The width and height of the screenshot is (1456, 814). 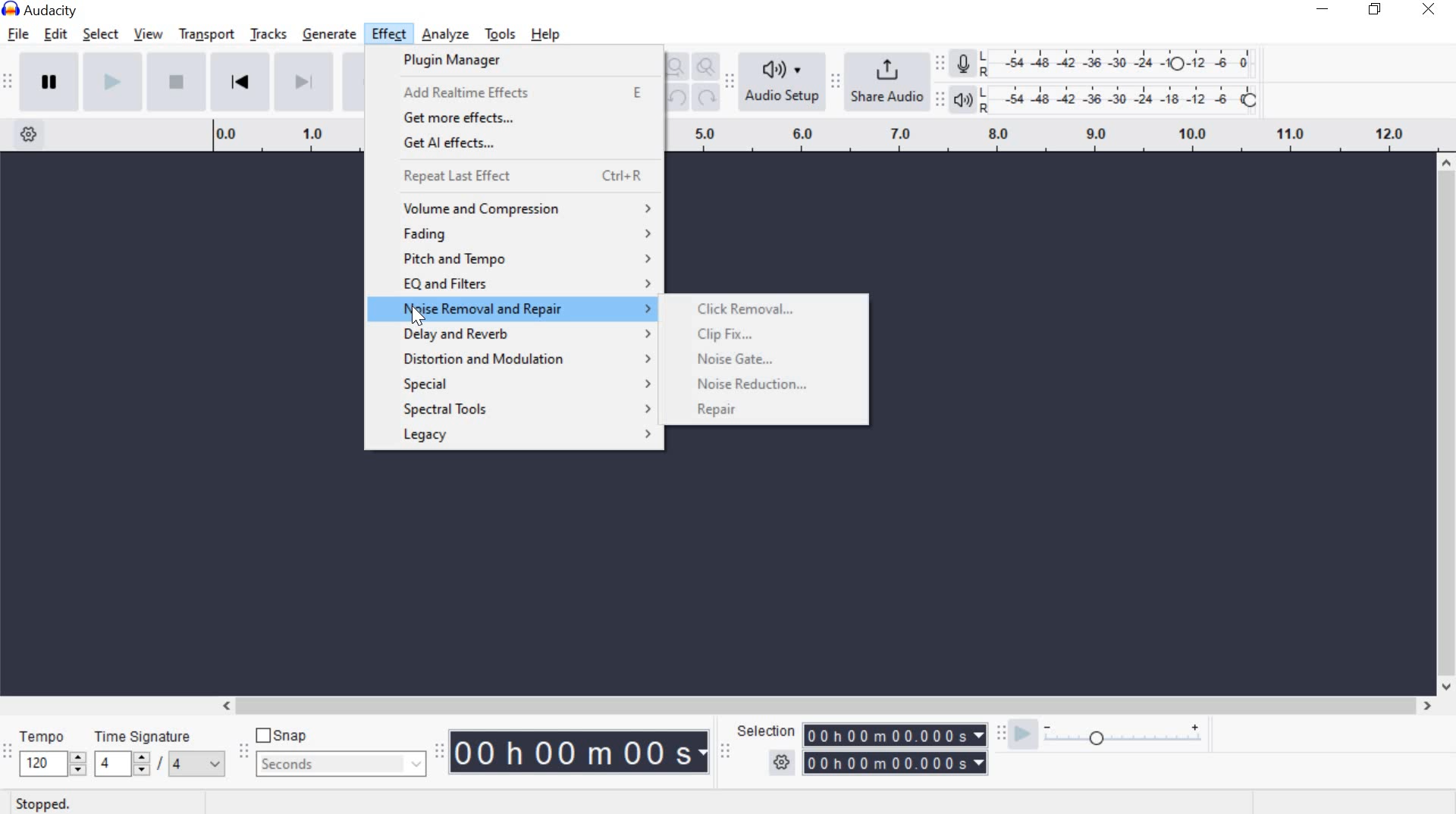 What do you see at coordinates (529, 176) in the screenshot?
I see `repeat last effect` at bounding box center [529, 176].